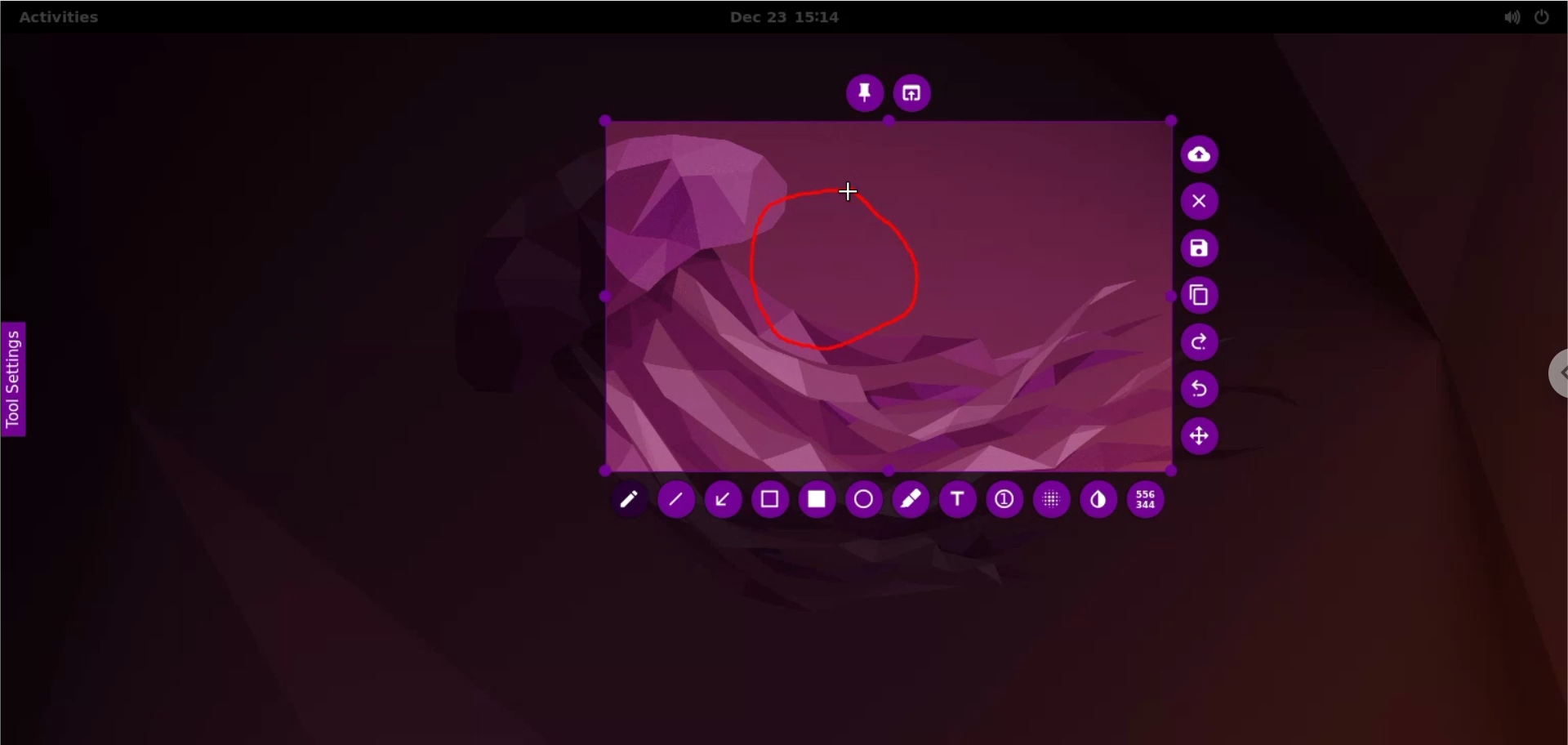  Describe the element at coordinates (675, 500) in the screenshot. I see `line ` at that location.